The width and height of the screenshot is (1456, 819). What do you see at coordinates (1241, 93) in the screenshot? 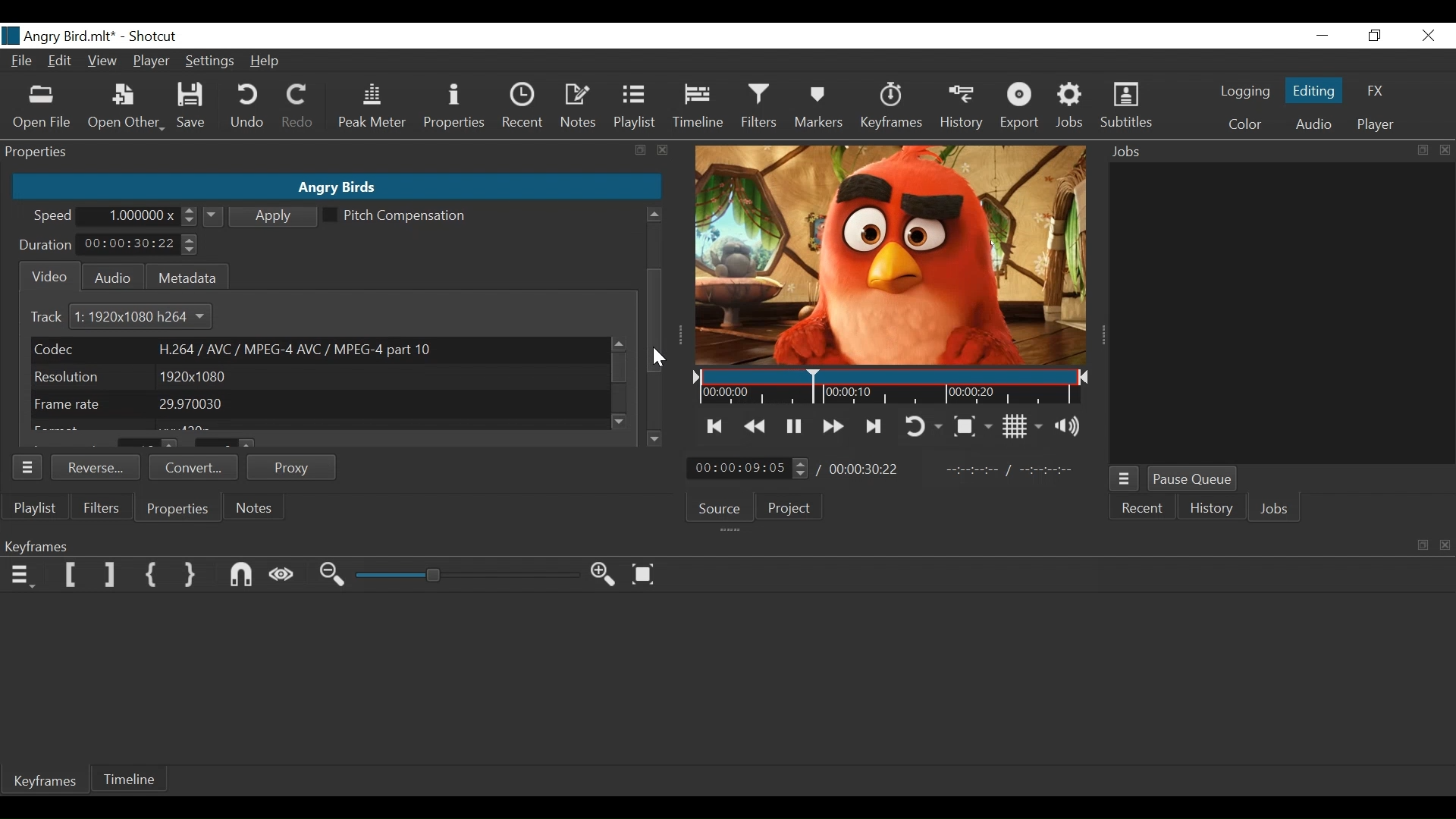
I see `logging` at bounding box center [1241, 93].